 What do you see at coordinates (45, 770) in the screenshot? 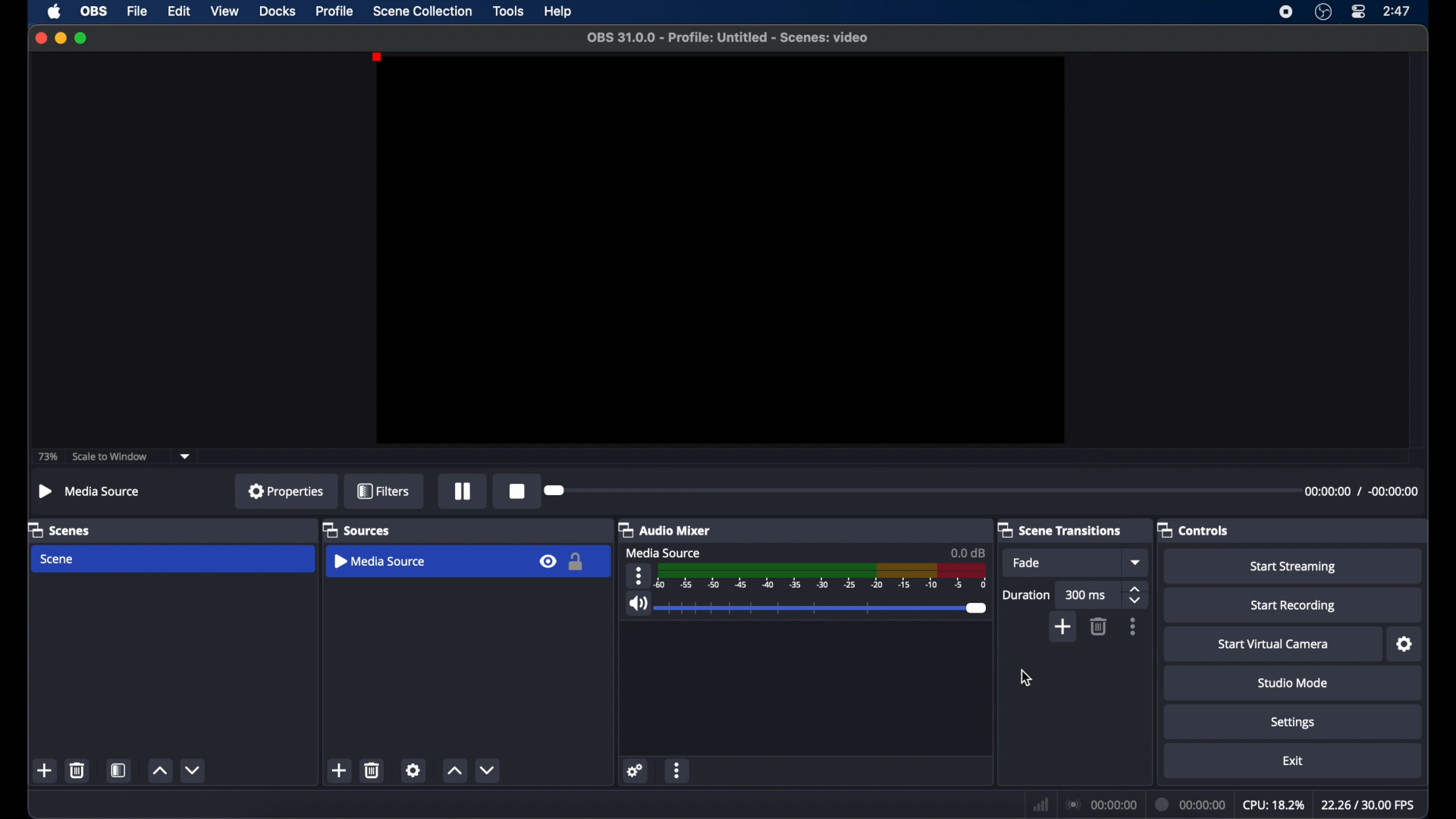
I see `add` at bounding box center [45, 770].